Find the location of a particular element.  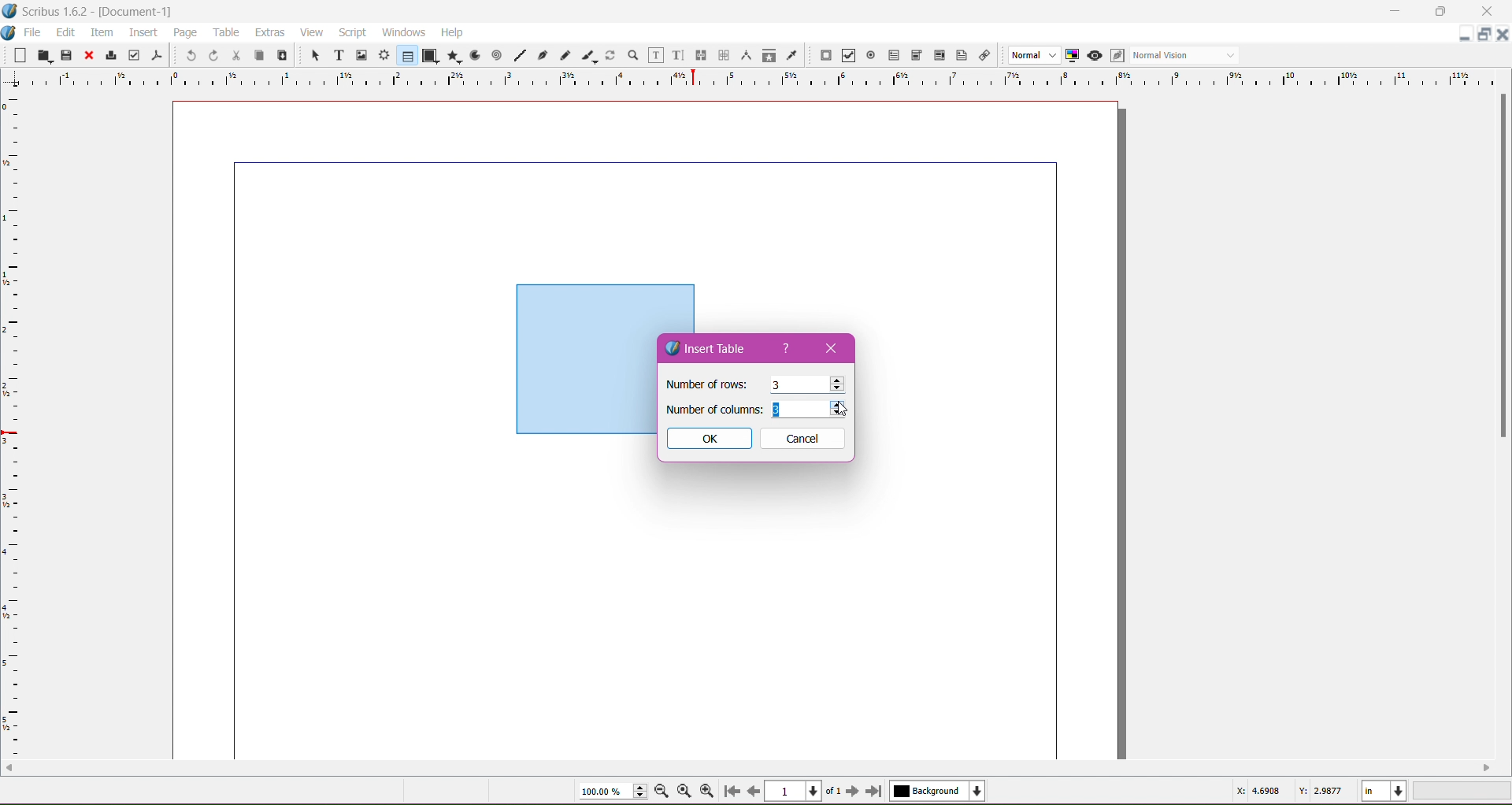

Insert is located at coordinates (143, 30).